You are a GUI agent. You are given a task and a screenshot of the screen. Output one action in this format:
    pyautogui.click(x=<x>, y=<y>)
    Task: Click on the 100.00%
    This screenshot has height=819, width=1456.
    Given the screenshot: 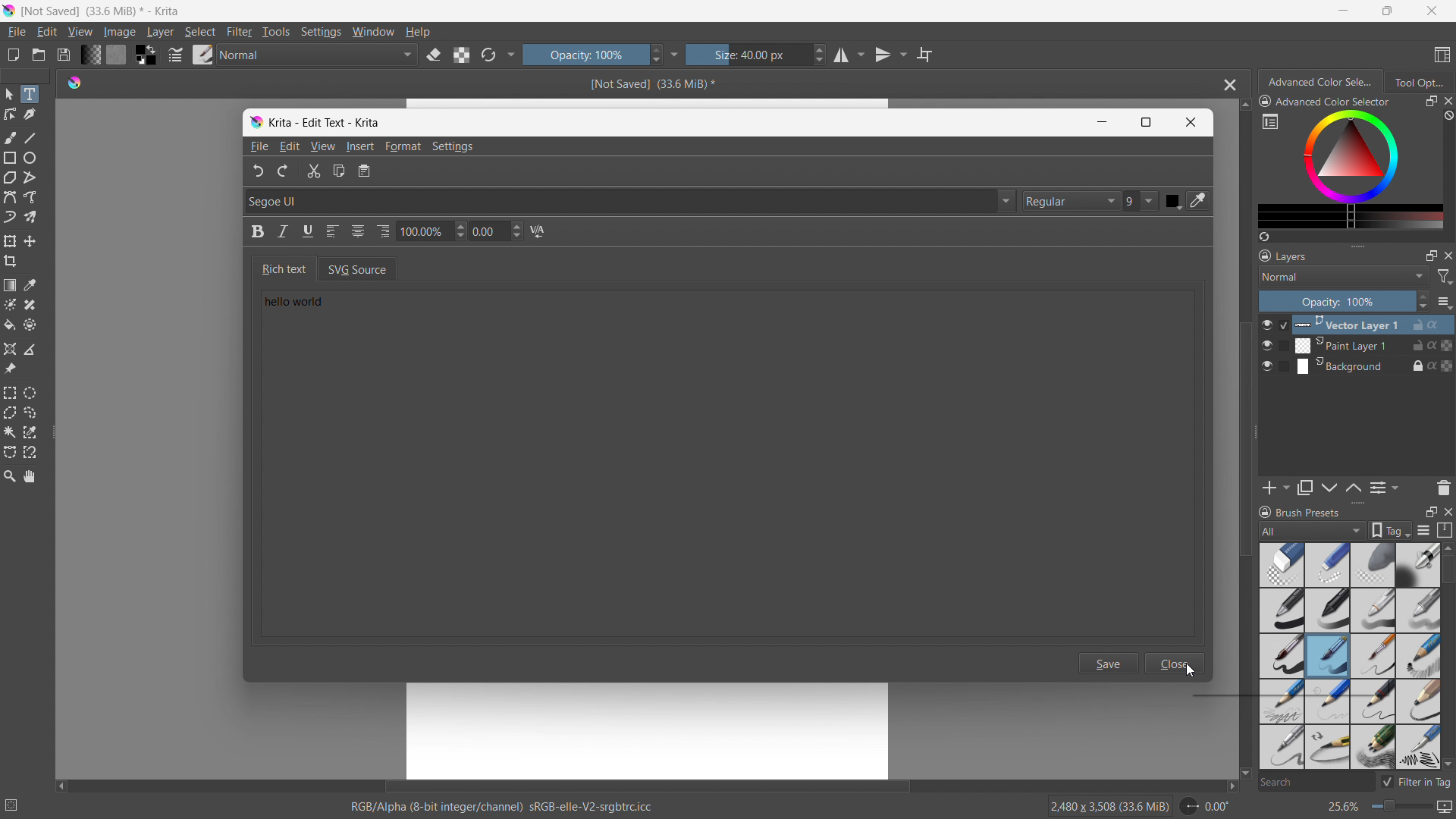 What is the action you would take?
    pyautogui.click(x=431, y=233)
    